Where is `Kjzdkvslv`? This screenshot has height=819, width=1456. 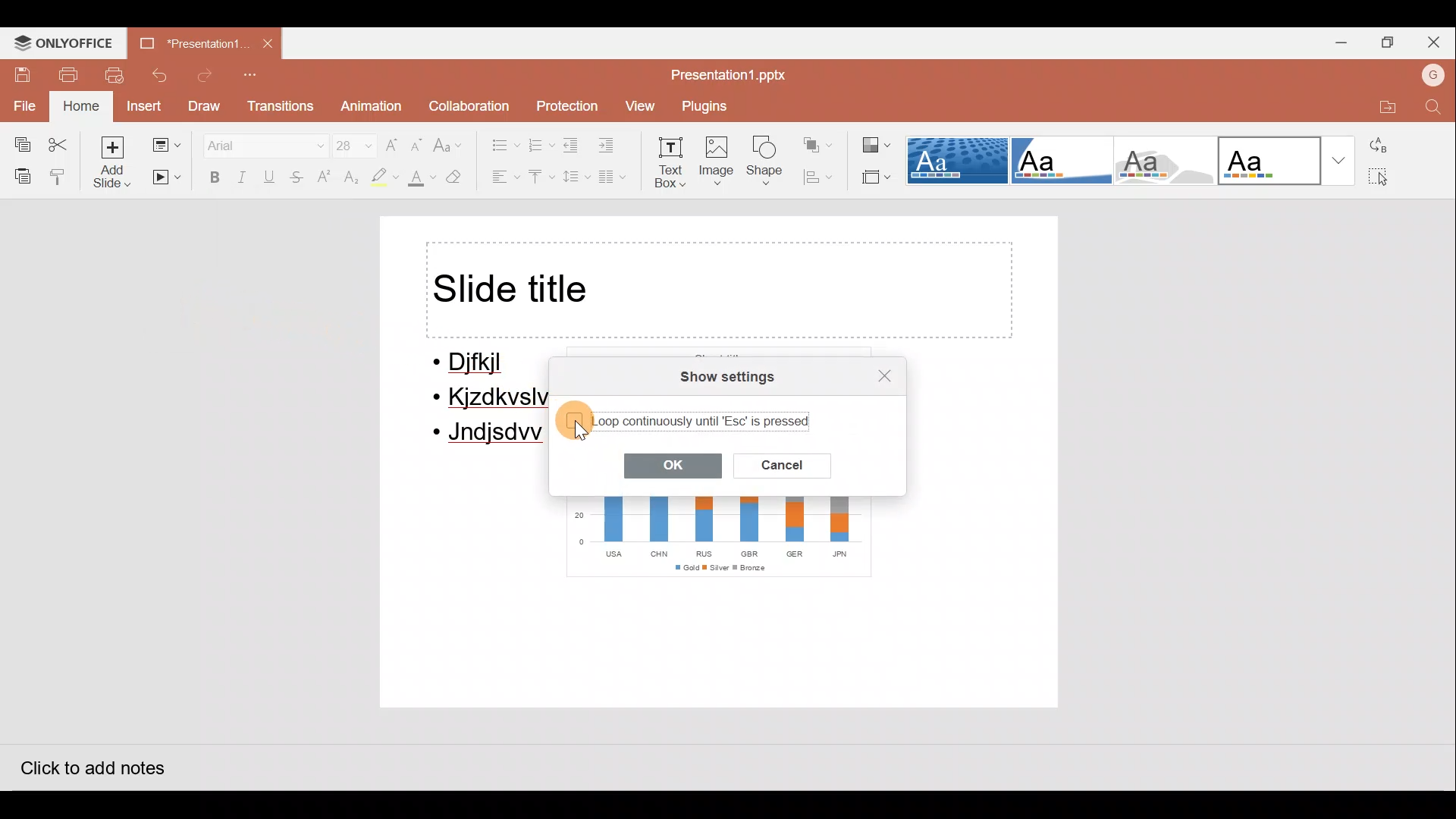 Kjzdkvslv is located at coordinates (490, 400).